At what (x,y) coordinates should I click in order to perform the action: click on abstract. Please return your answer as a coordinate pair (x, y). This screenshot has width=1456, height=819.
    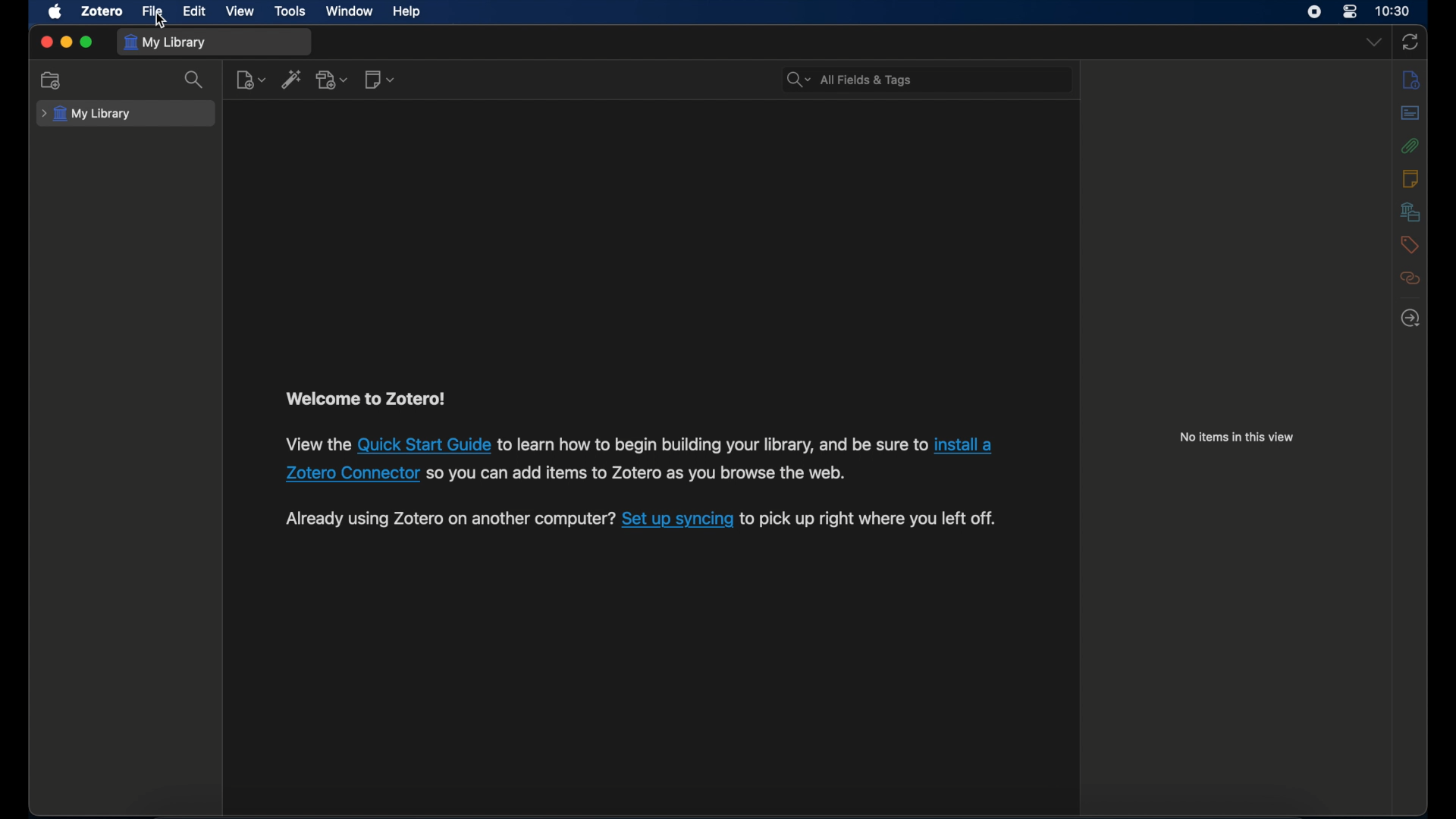
    Looking at the image, I should click on (1410, 113).